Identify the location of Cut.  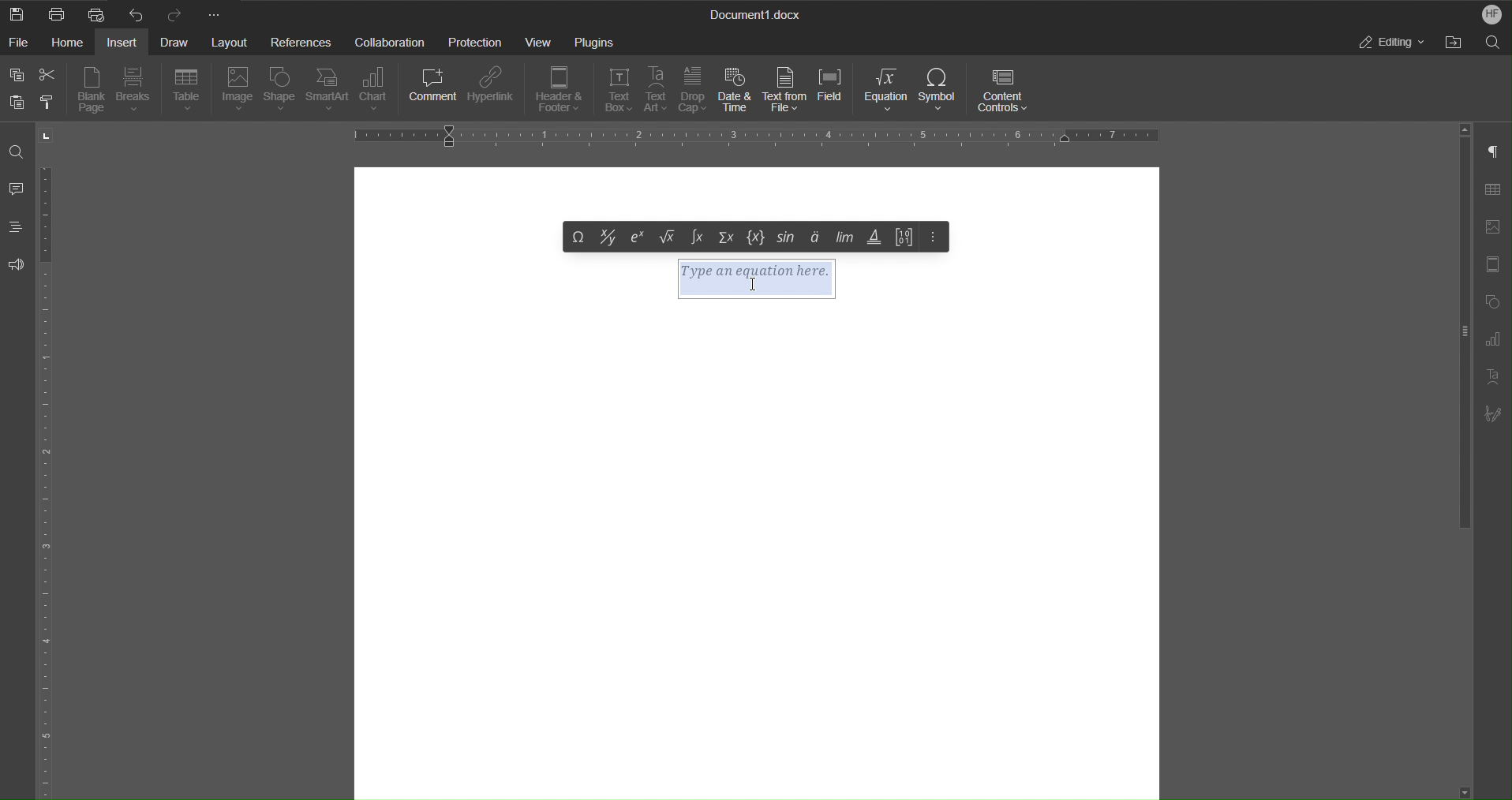
(48, 75).